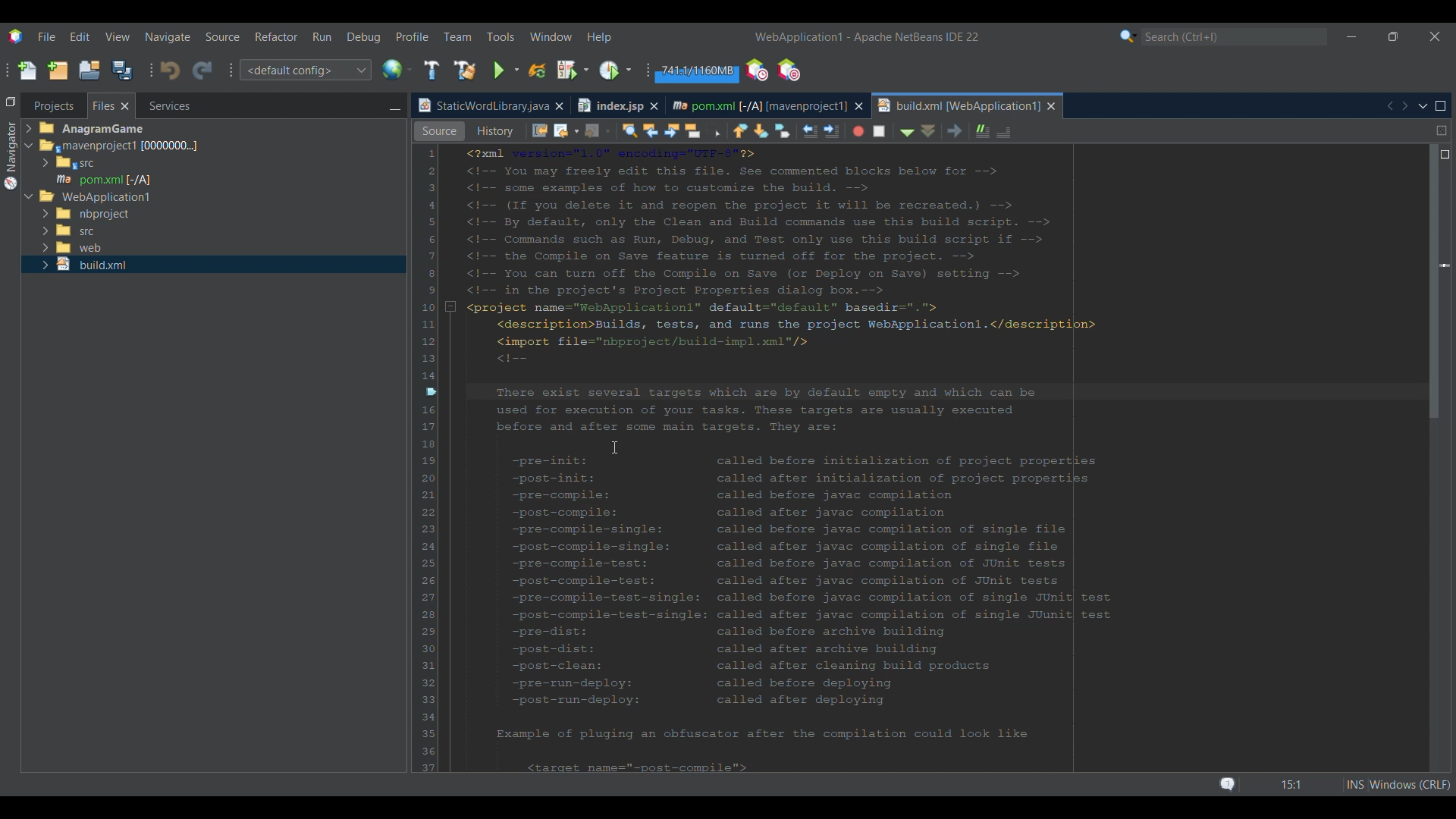 The height and width of the screenshot is (819, 1456). What do you see at coordinates (538, 71) in the screenshot?
I see `Reload` at bounding box center [538, 71].